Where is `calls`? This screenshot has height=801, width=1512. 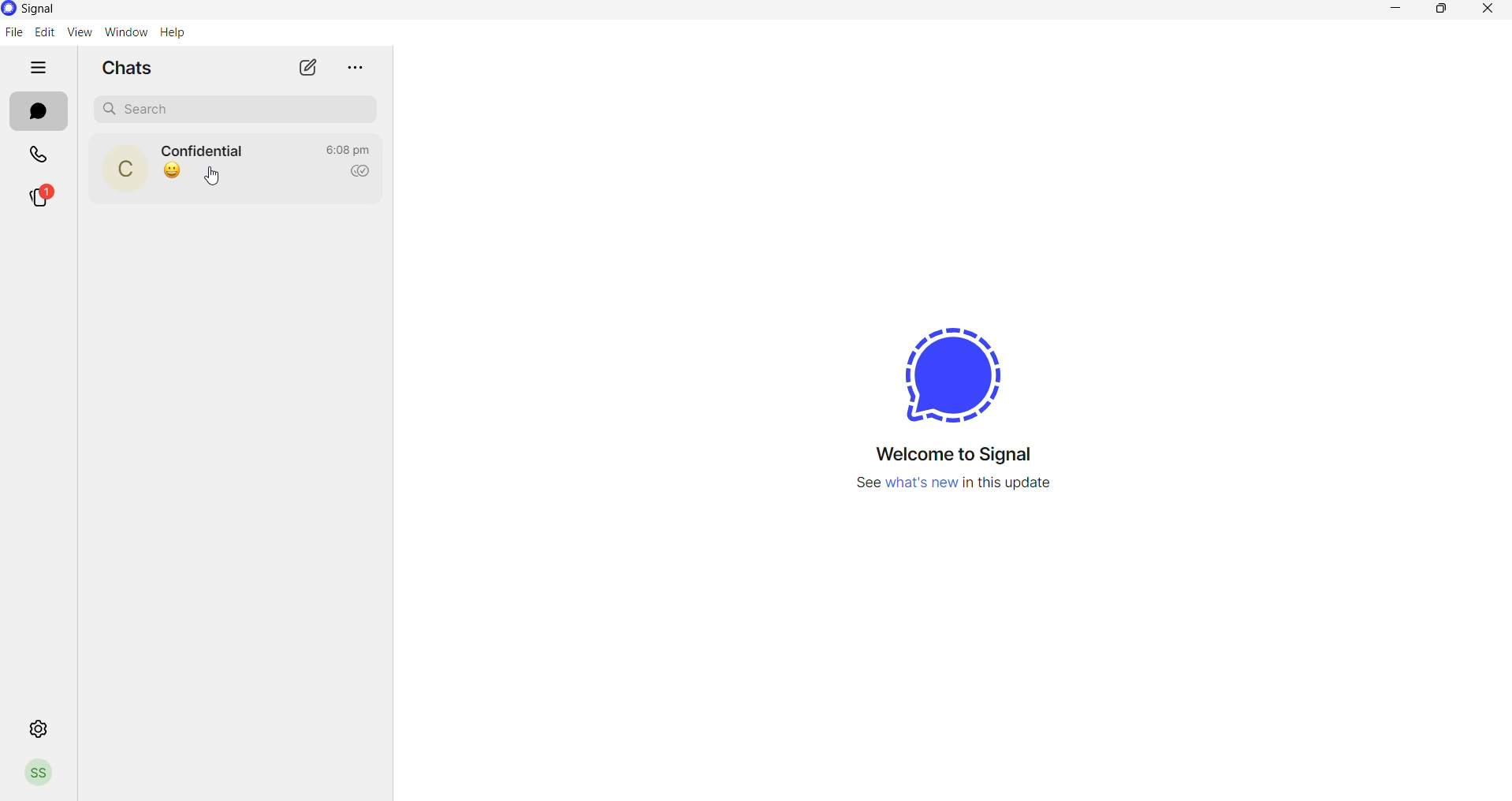 calls is located at coordinates (39, 153).